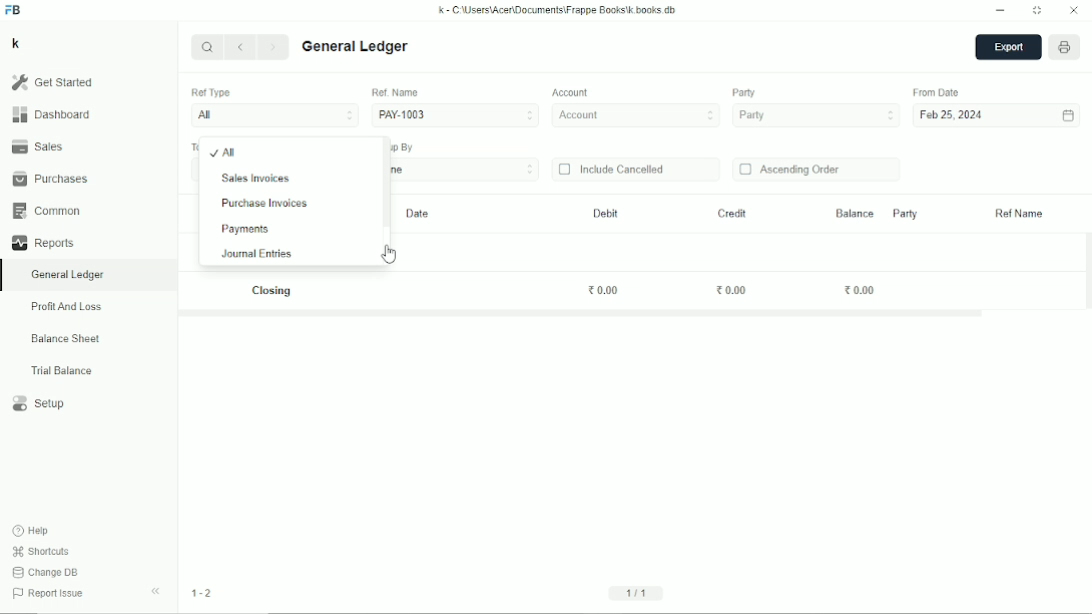 The width and height of the screenshot is (1092, 614). What do you see at coordinates (1020, 214) in the screenshot?
I see `Ref name` at bounding box center [1020, 214].